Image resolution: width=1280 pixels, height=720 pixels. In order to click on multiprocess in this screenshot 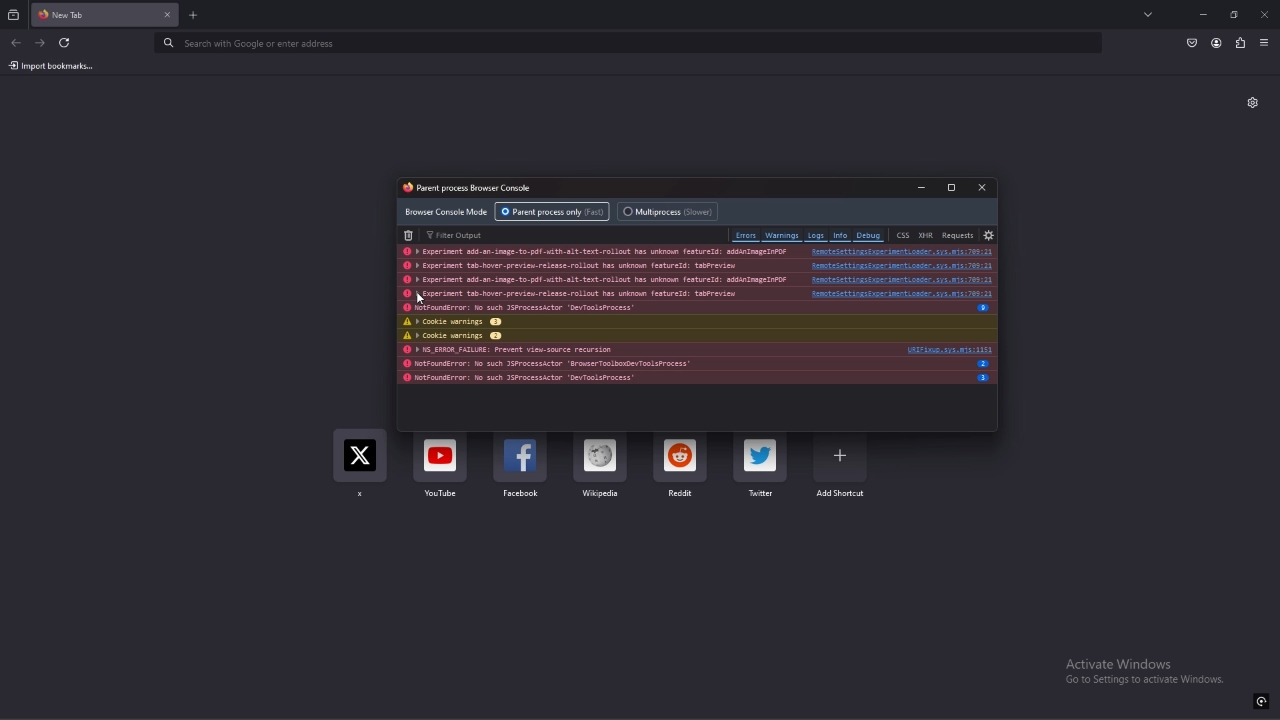, I will do `click(670, 211)`.